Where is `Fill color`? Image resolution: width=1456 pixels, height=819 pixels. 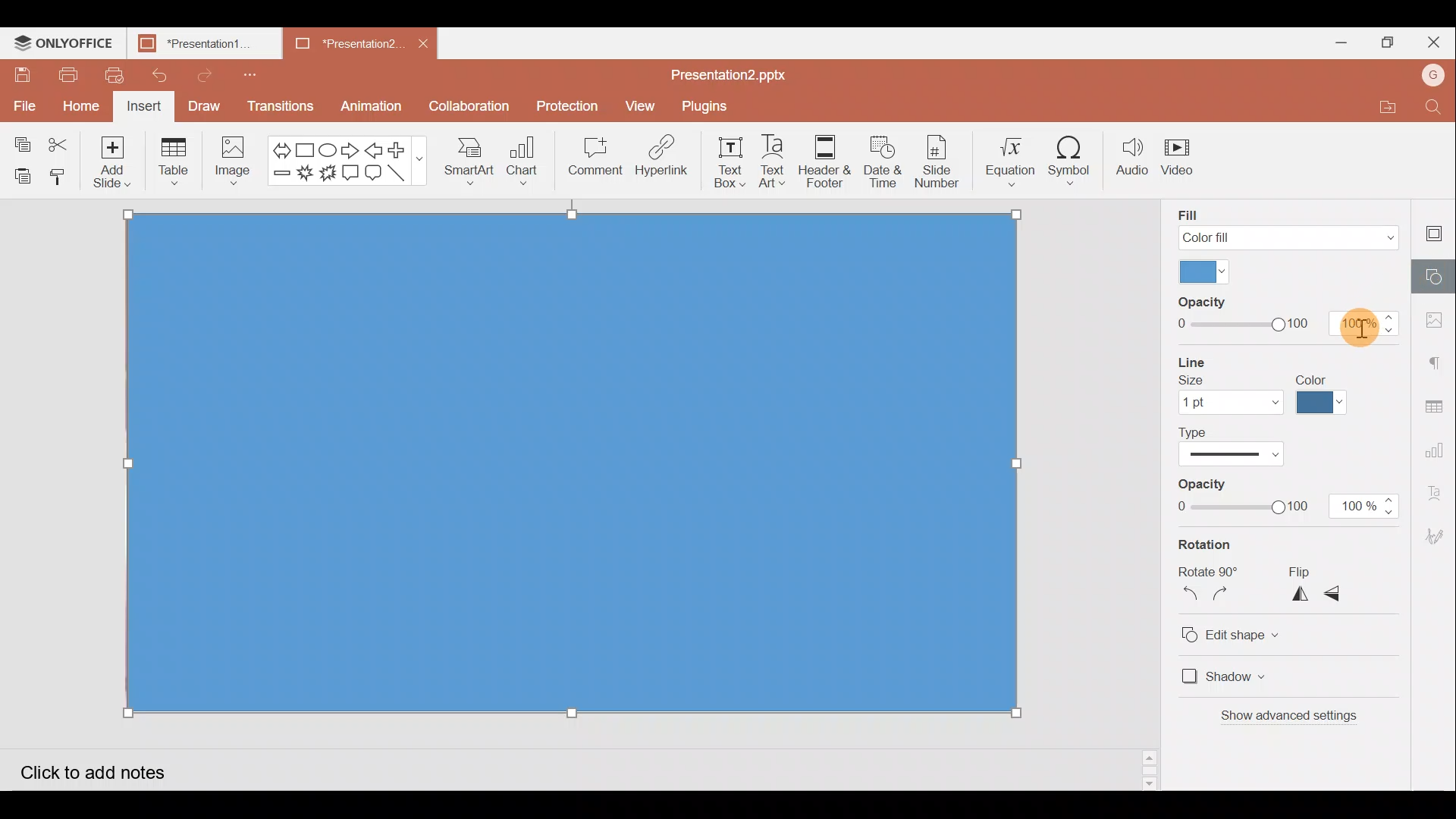 Fill color is located at coordinates (1202, 270).